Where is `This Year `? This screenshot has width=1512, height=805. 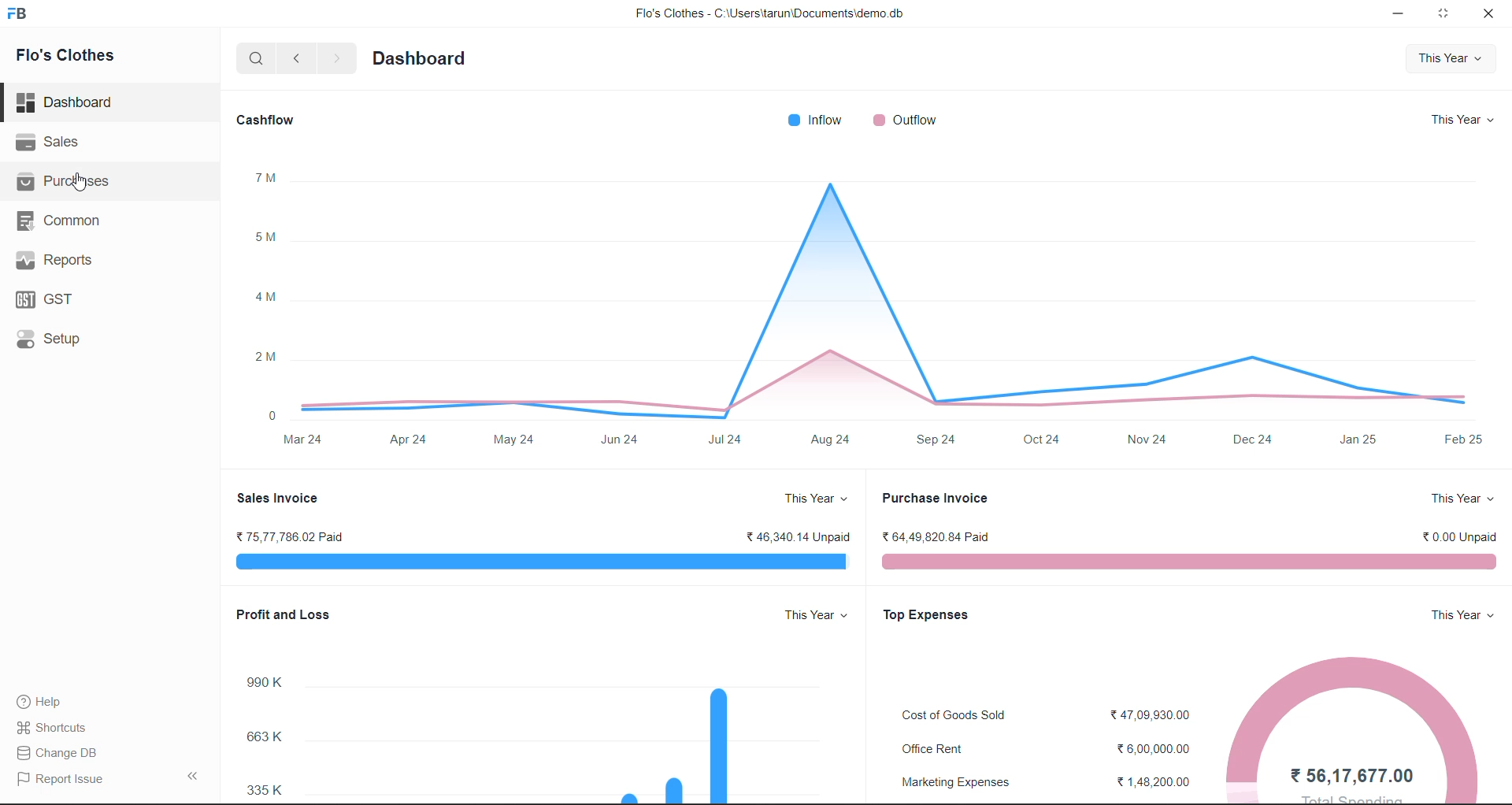 This Year  is located at coordinates (1462, 118).